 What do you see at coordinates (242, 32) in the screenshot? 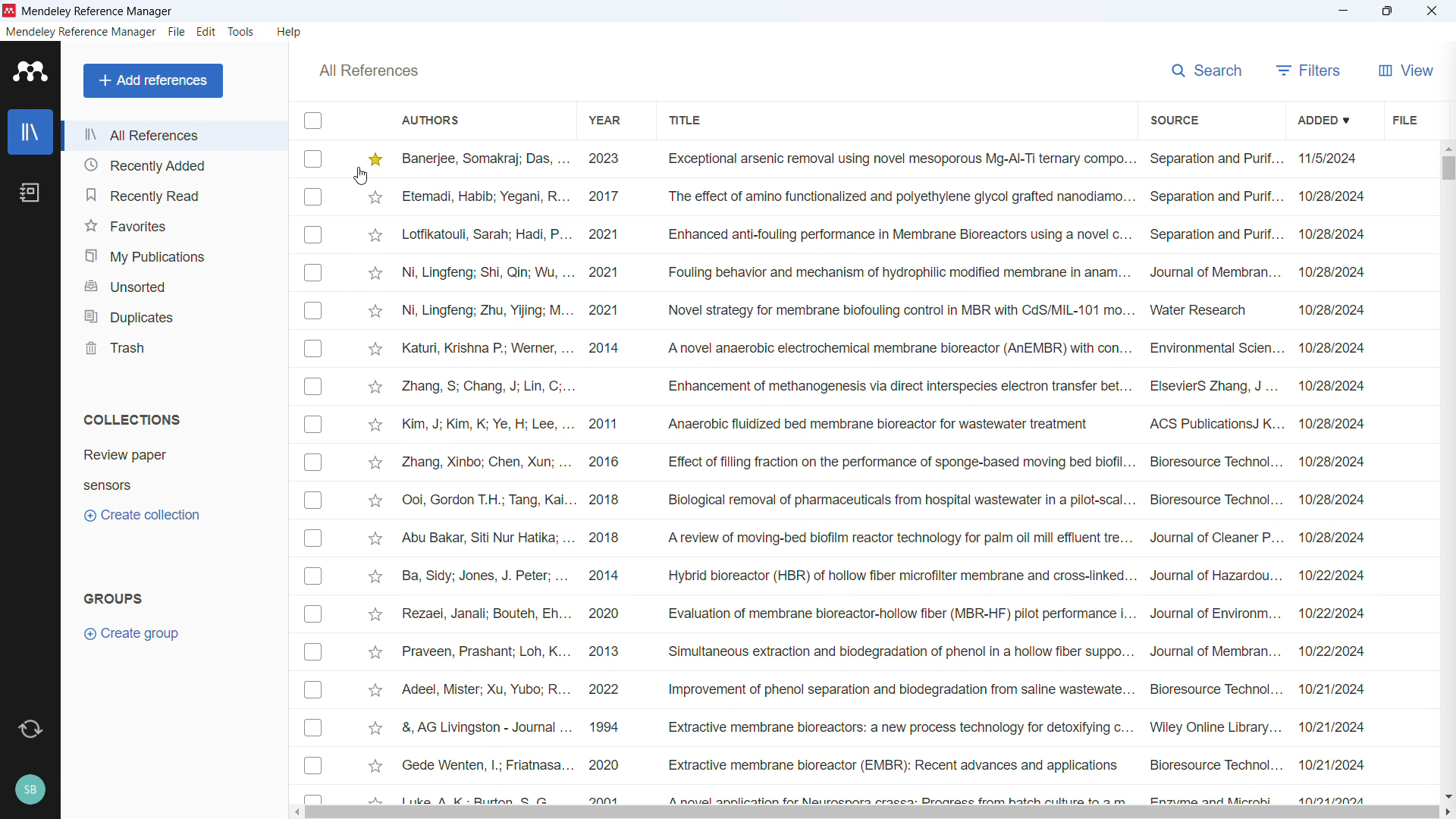
I see `tools` at bounding box center [242, 32].